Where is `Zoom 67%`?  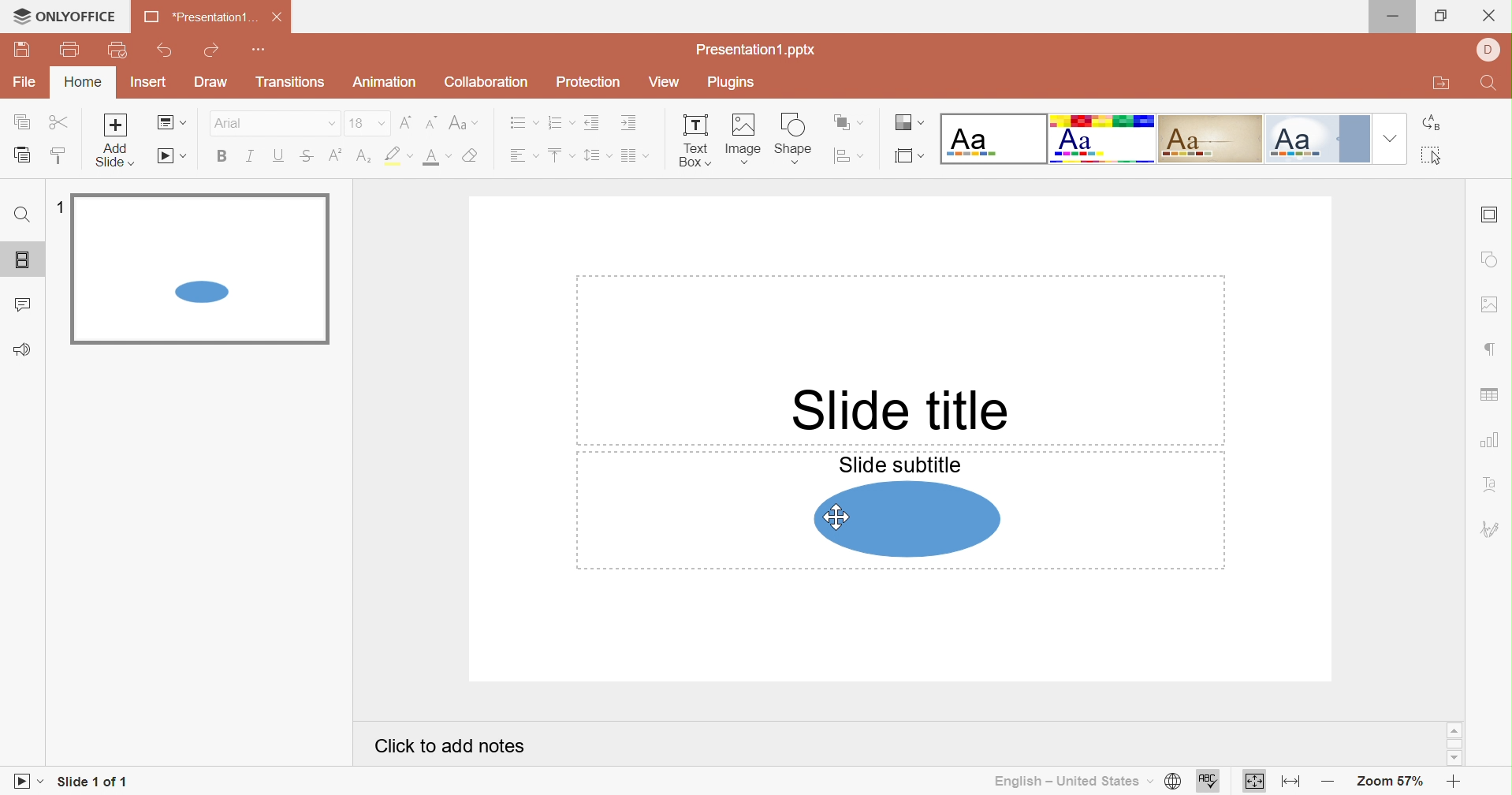 Zoom 67% is located at coordinates (1387, 782).